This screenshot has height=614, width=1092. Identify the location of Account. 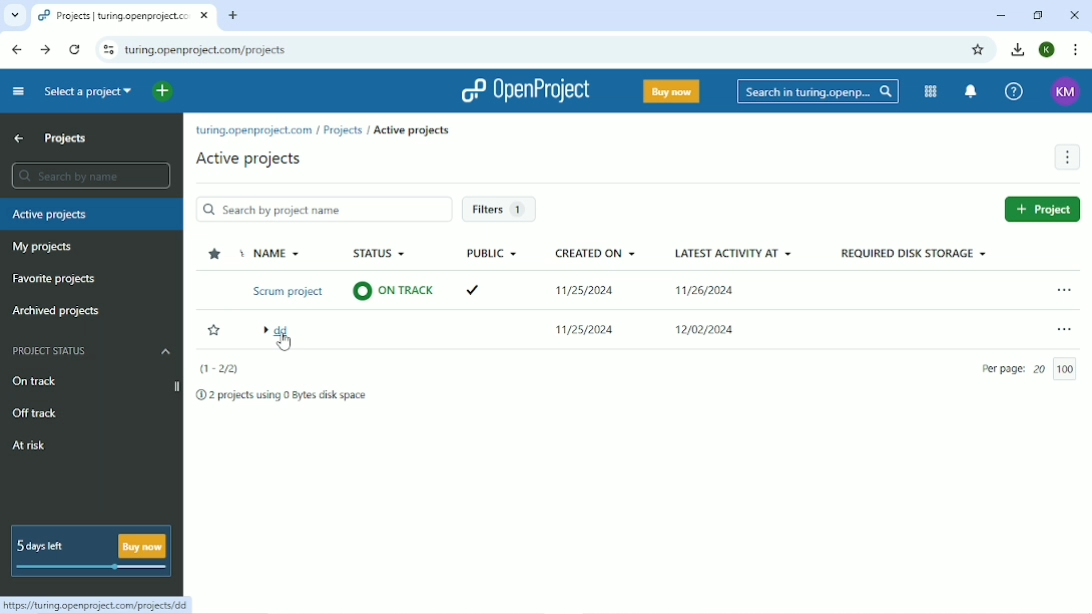
(1066, 92).